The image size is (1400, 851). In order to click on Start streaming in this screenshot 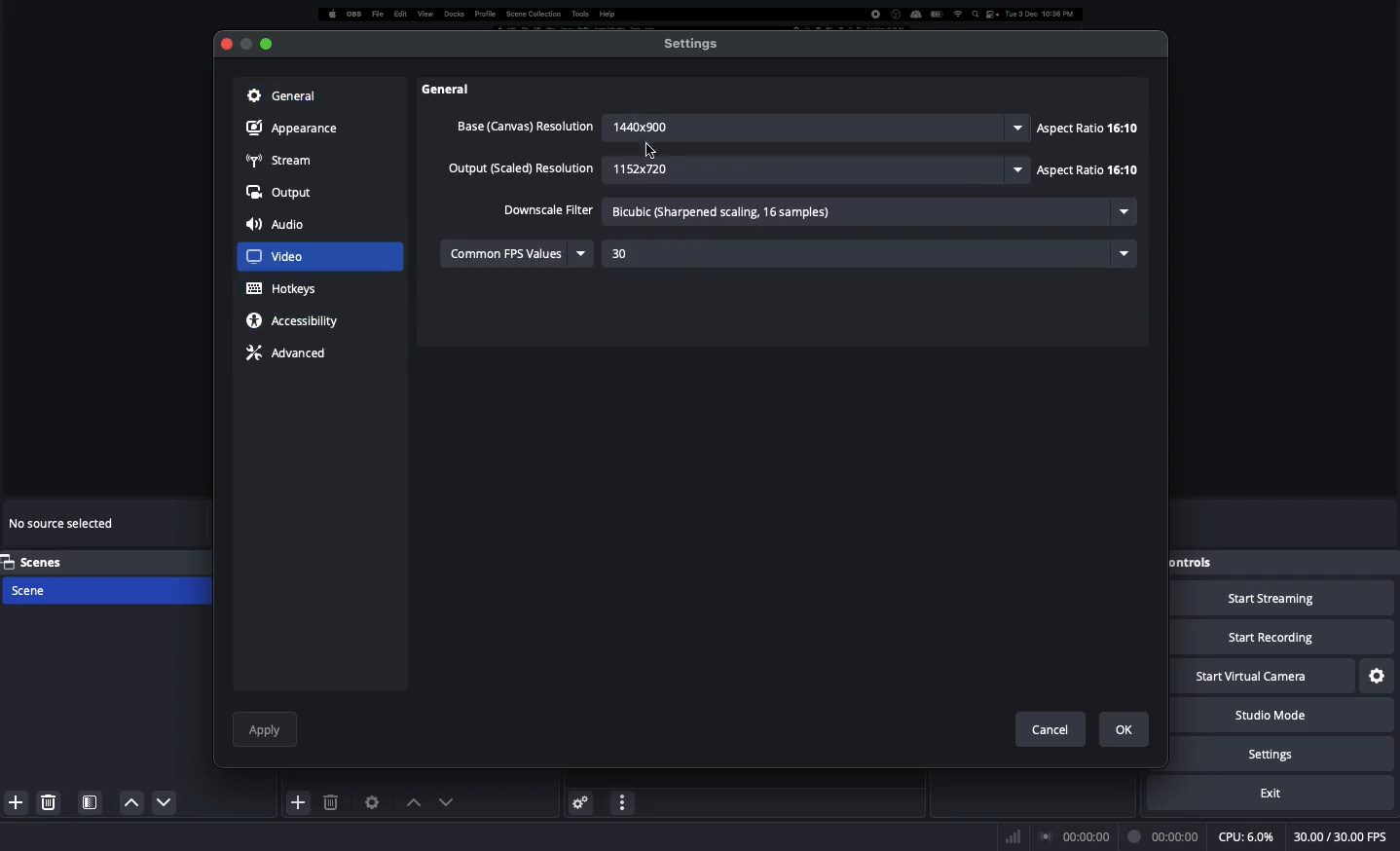, I will do `click(1283, 600)`.